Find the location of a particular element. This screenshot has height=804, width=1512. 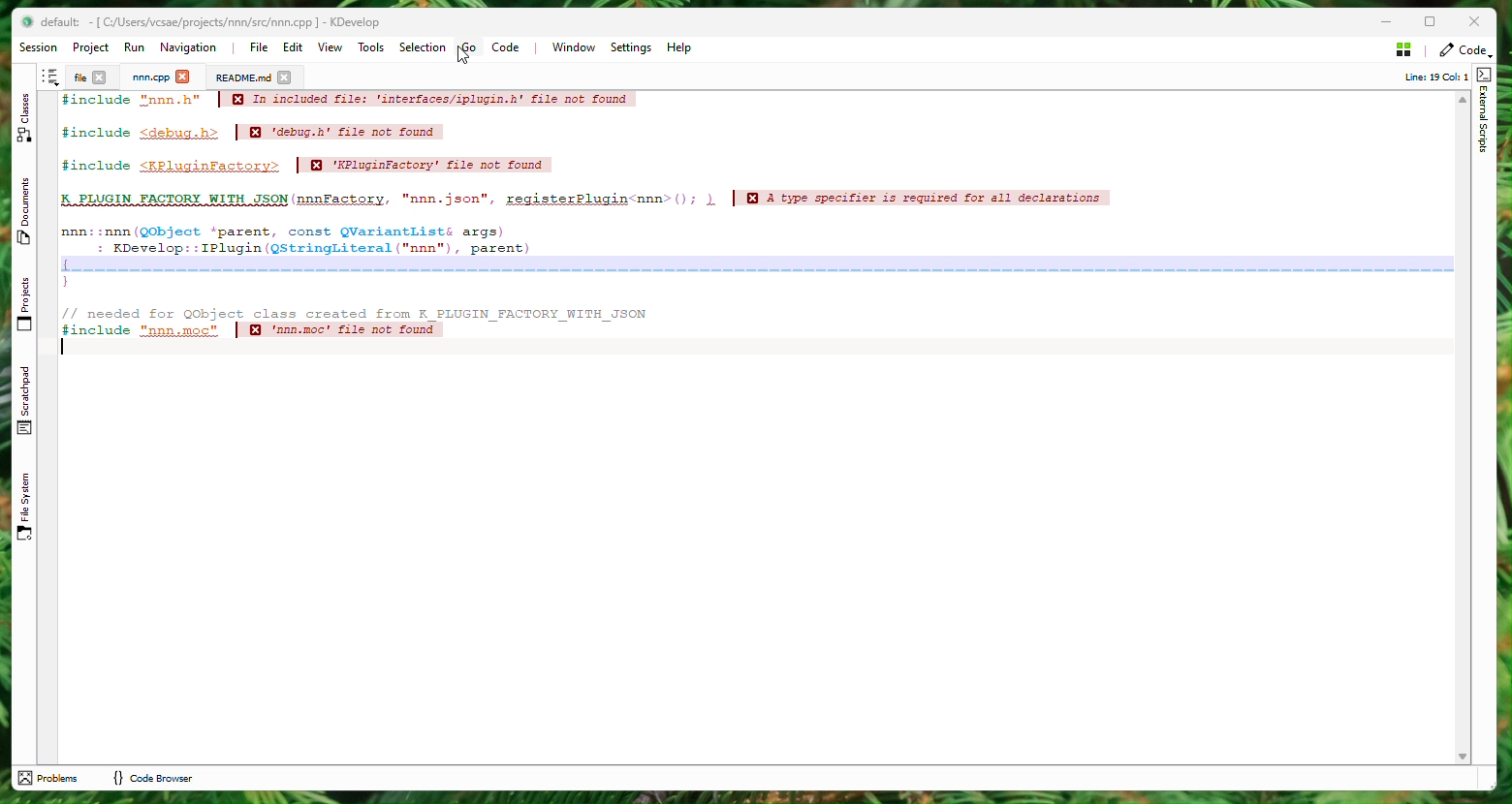

Tools is located at coordinates (374, 48).